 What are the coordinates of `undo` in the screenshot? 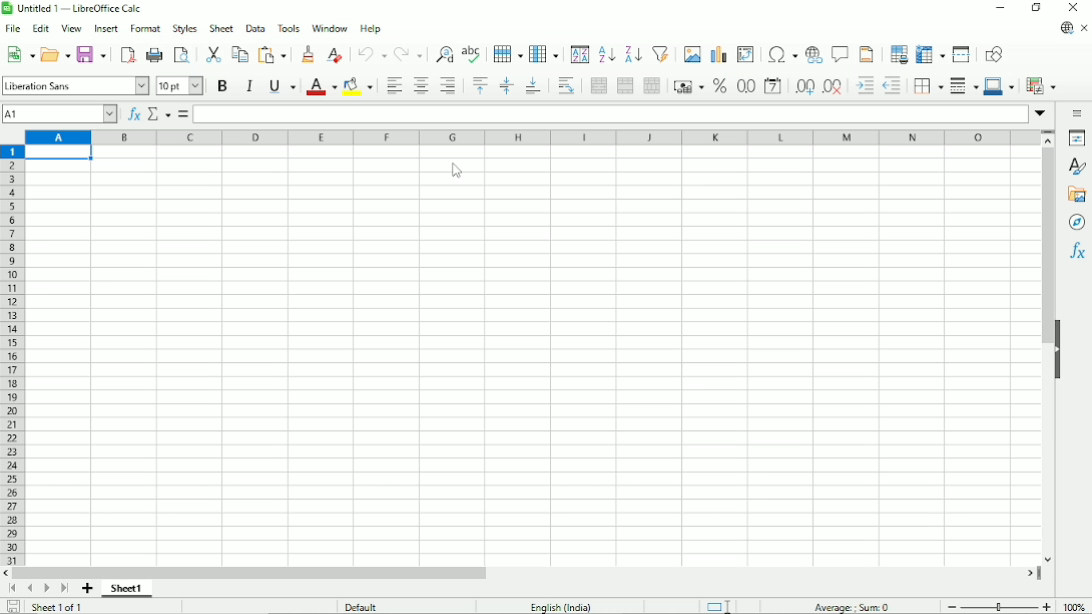 It's located at (370, 54).